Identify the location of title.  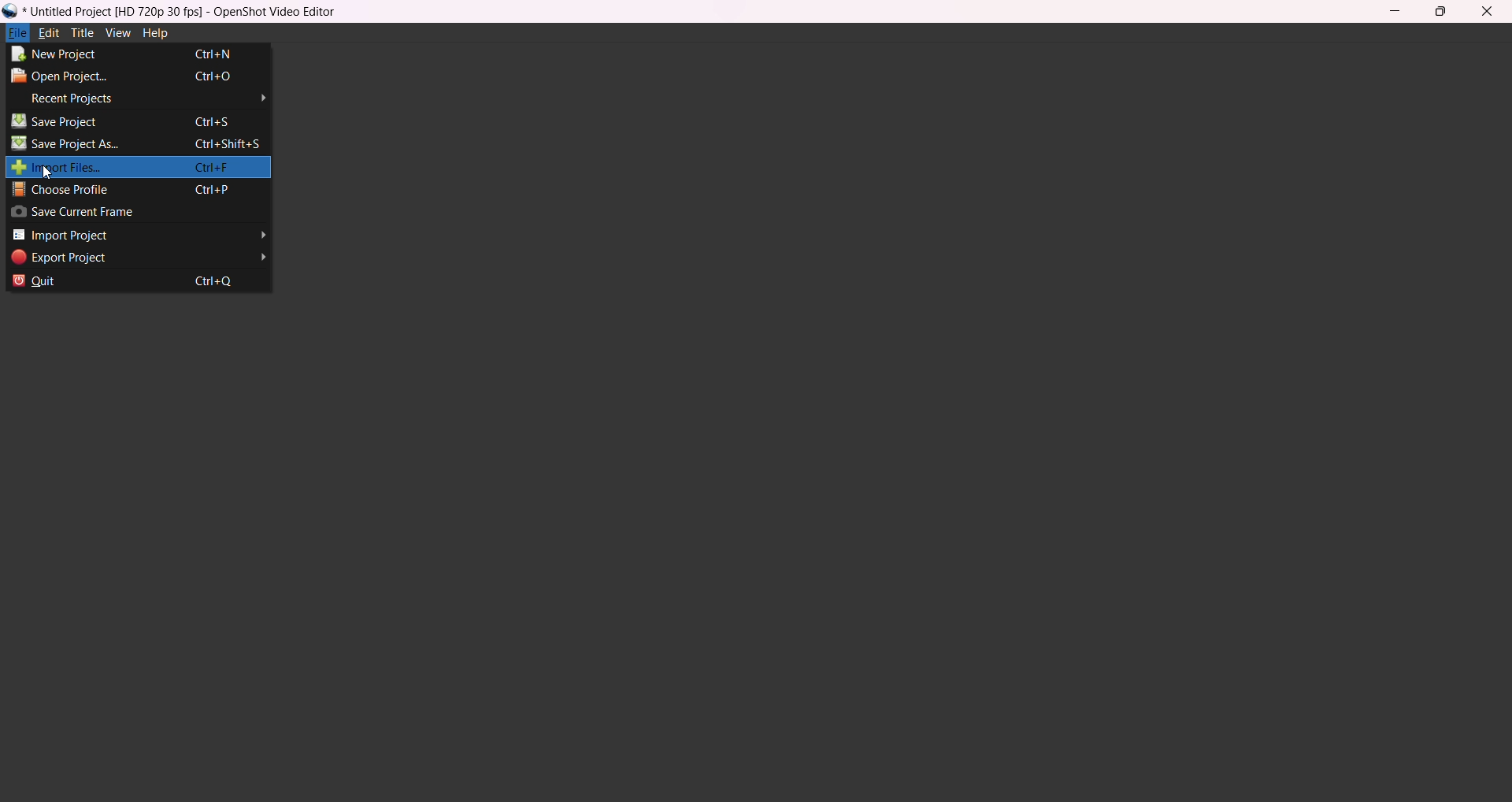
(80, 35).